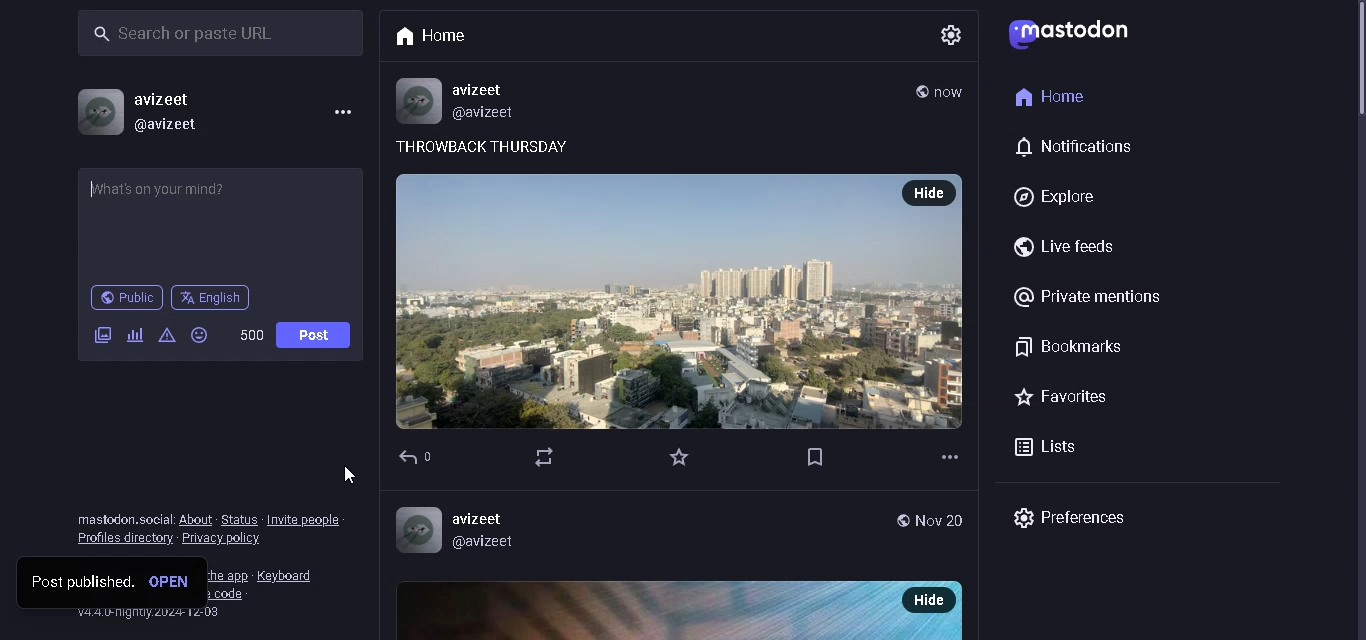 The image size is (1366, 640). What do you see at coordinates (134, 336) in the screenshot?
I see `add poll` at bounding box center [134, 336].